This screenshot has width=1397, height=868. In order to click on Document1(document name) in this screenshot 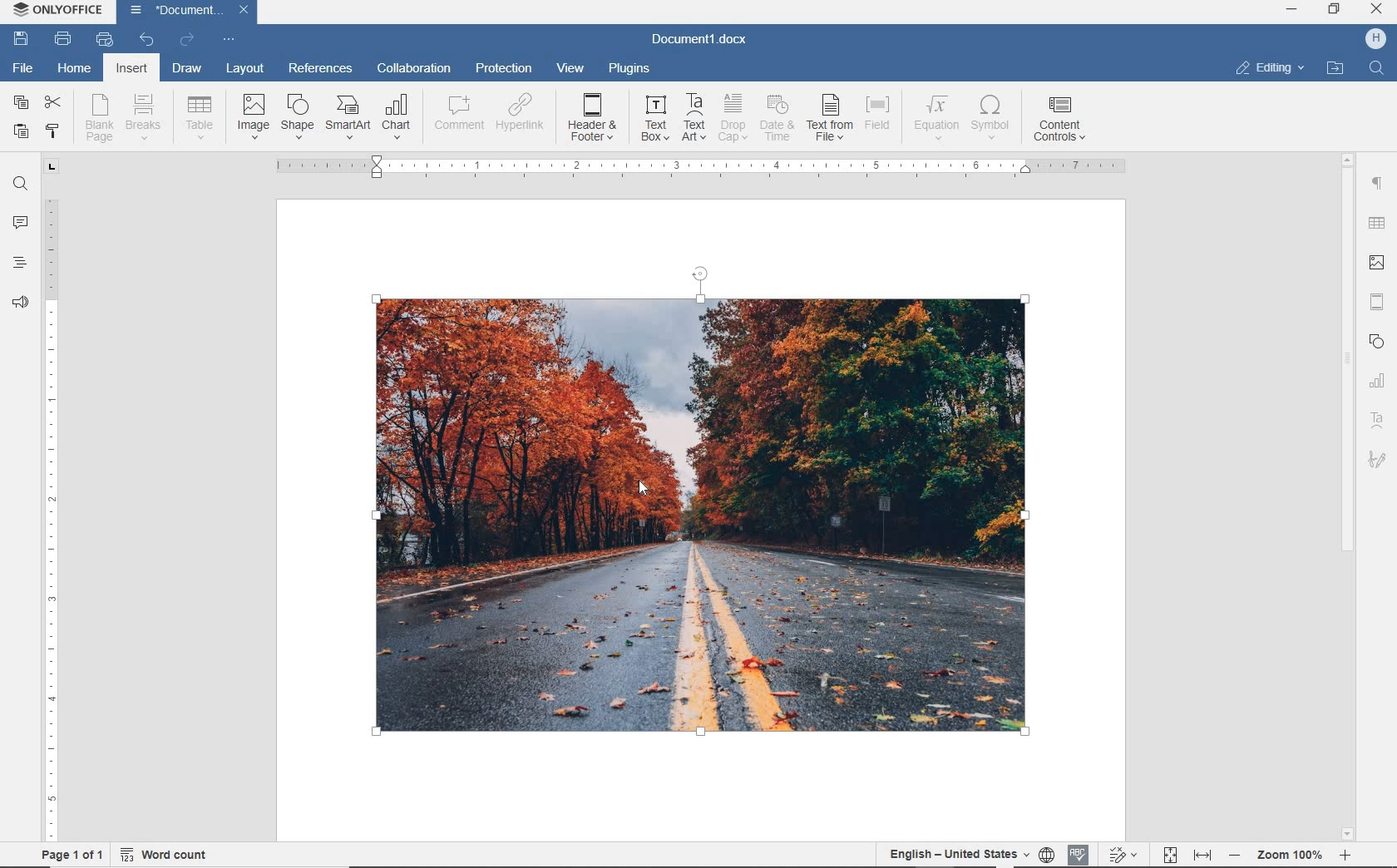, I will do `click(191, 11)`.